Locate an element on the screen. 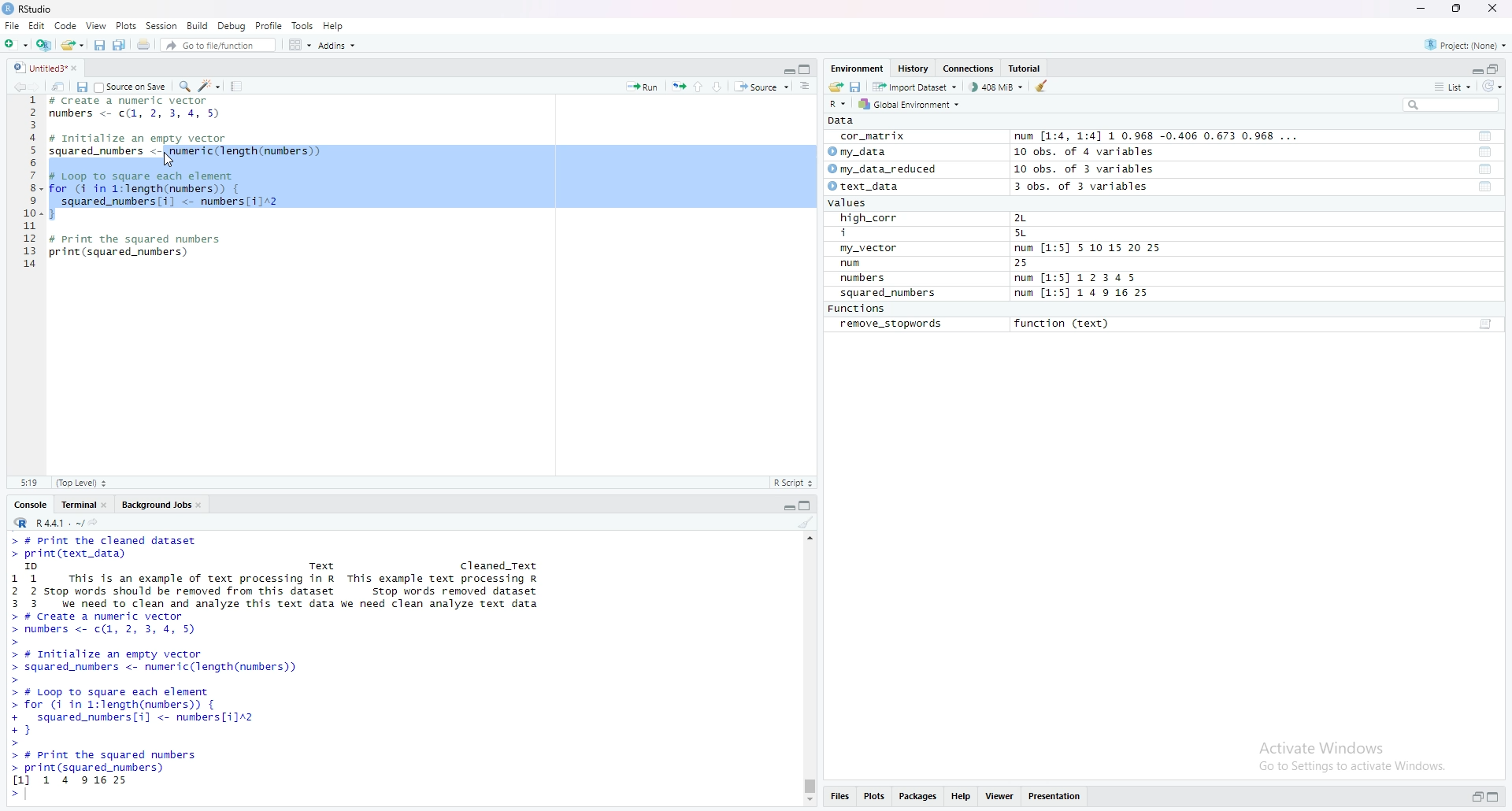 This screenshot has width=1512, height=811. New File is located at coordinates (15, 43).